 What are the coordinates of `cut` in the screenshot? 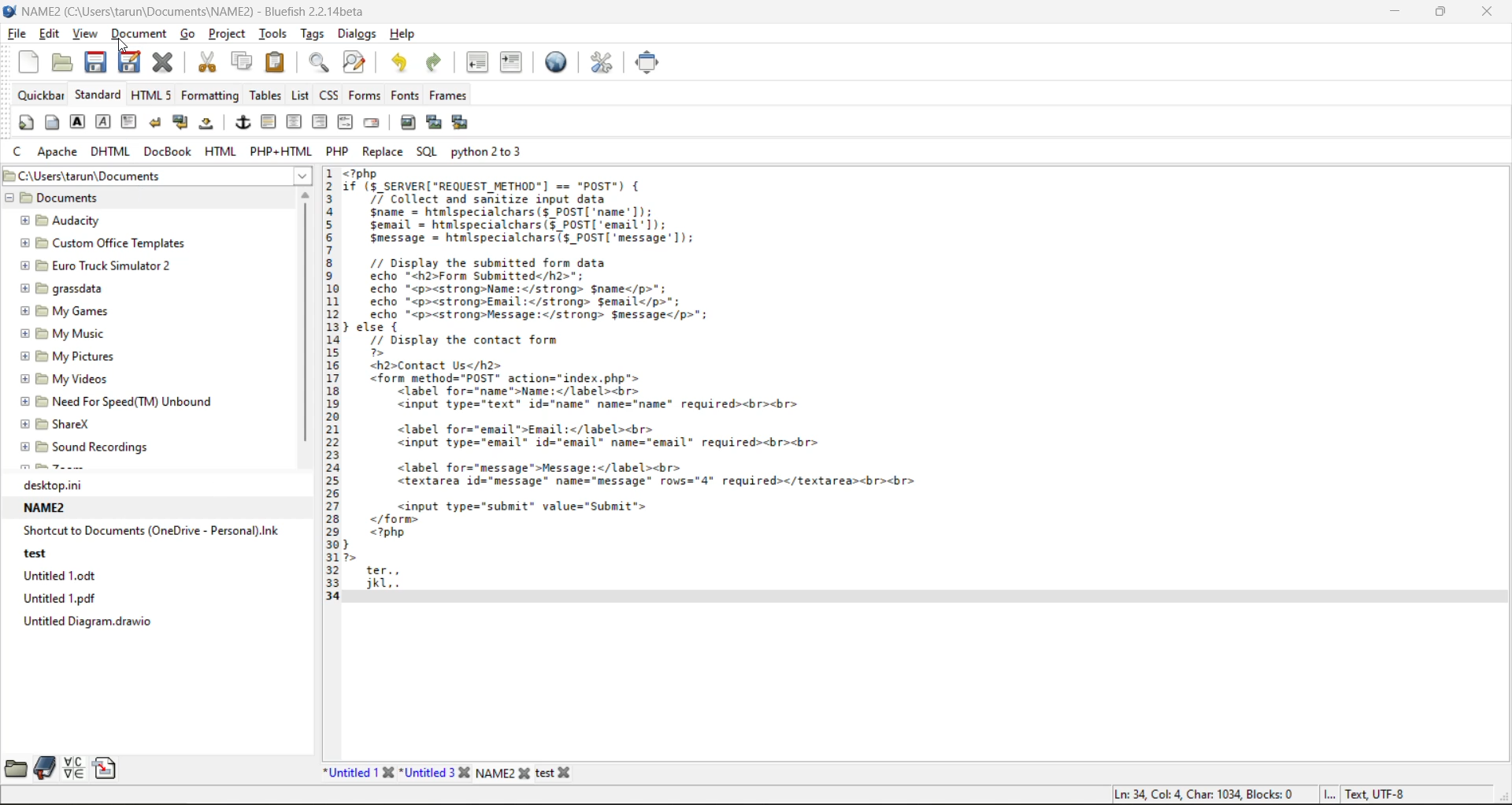 It's located at (210, 61).